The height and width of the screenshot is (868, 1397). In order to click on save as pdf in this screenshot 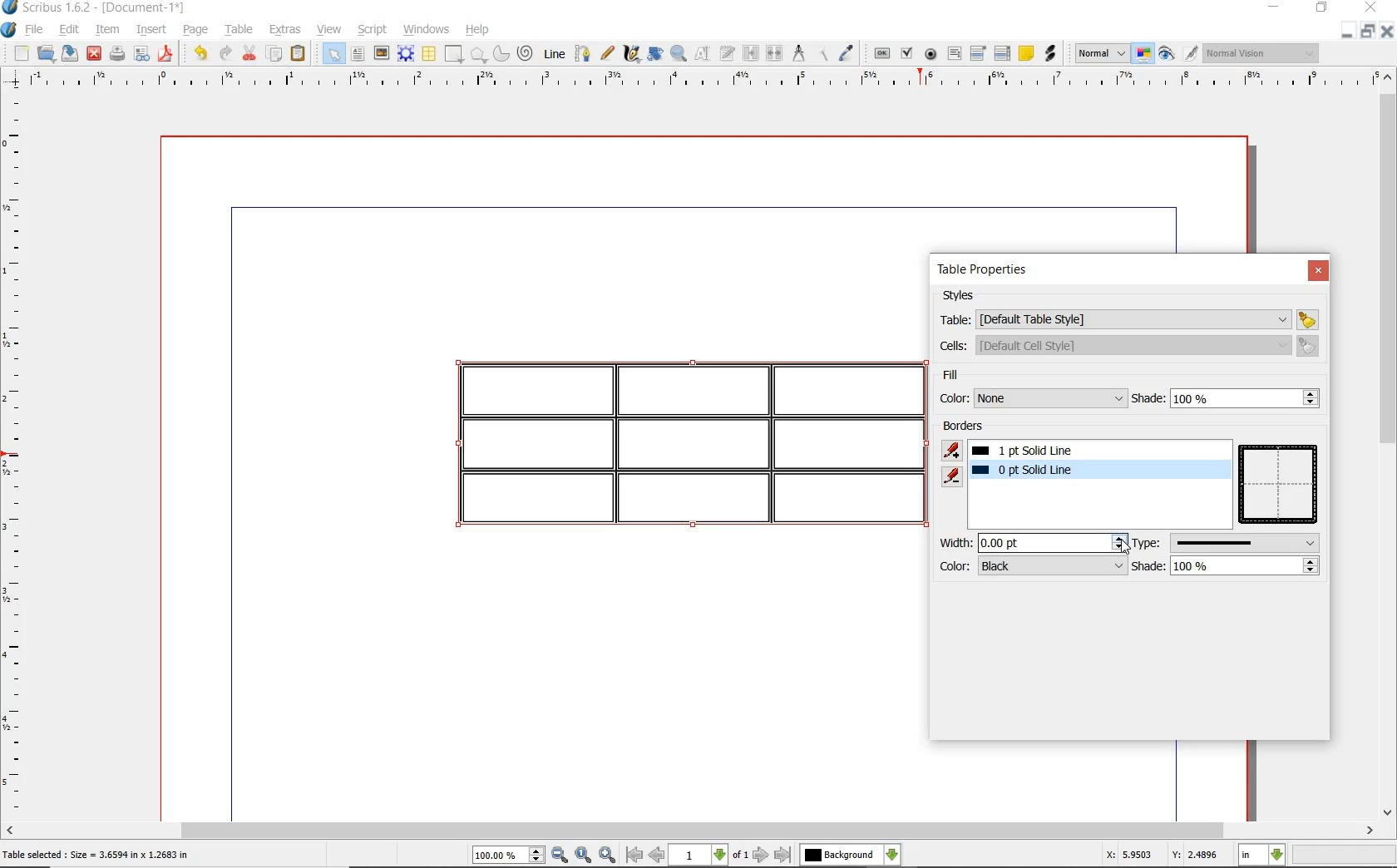, I will do `click(167, 55)`.